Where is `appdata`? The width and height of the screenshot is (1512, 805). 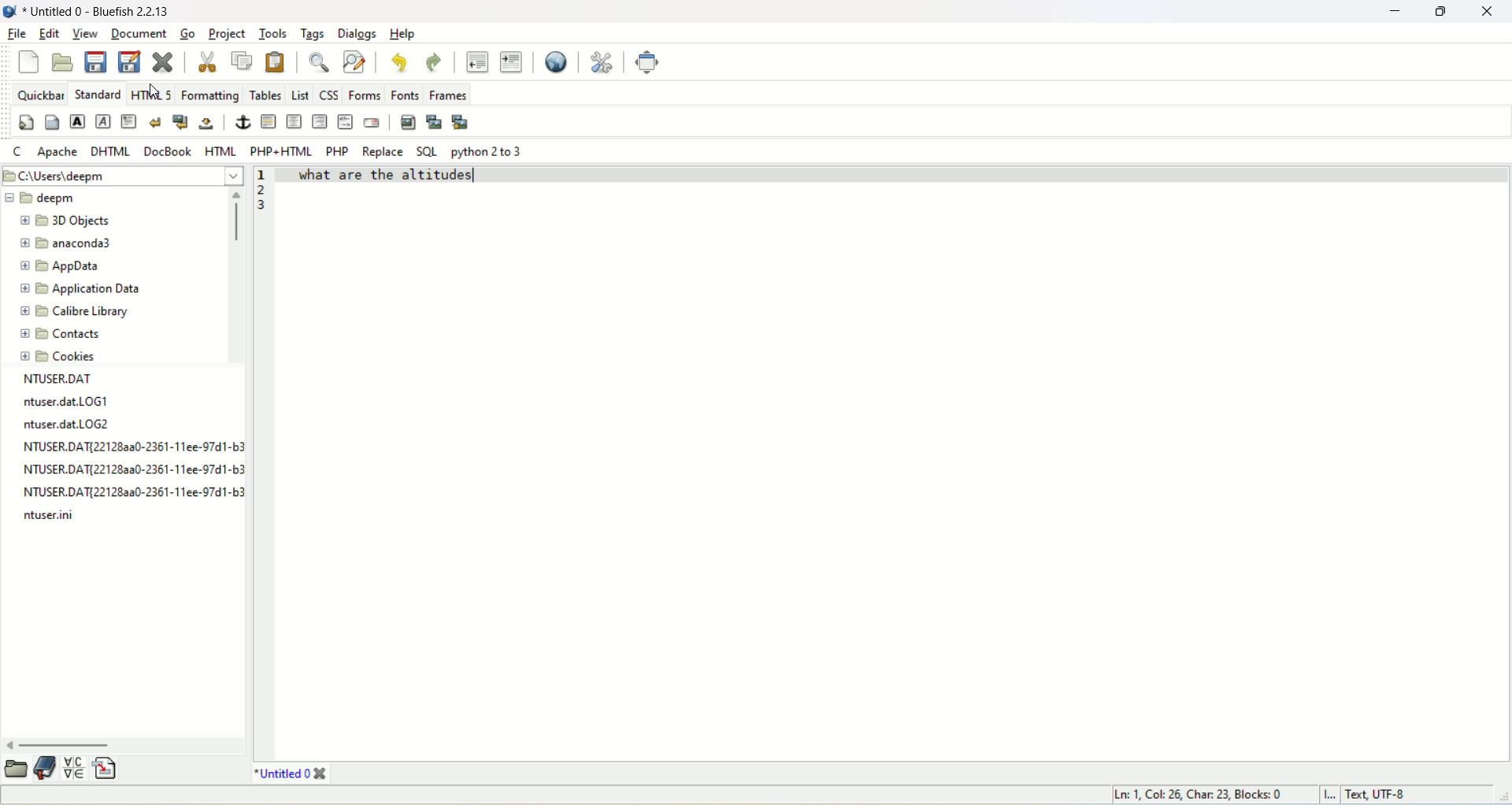 appdata is located at coordinates (66, 269).